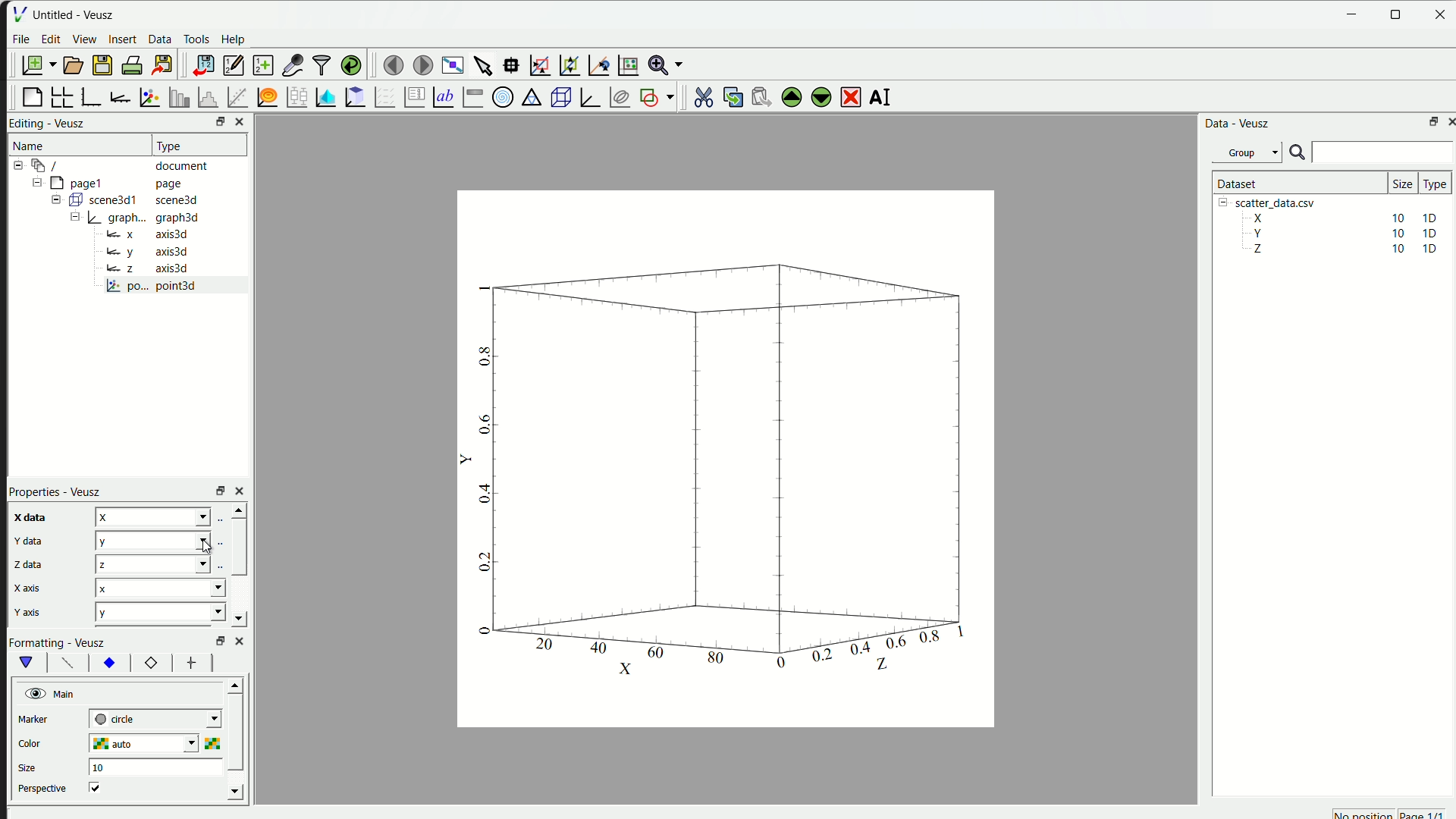  What do you see at coordinates (191, 663) in the screenshot?
I see `font` at bounding box center [191, 663].